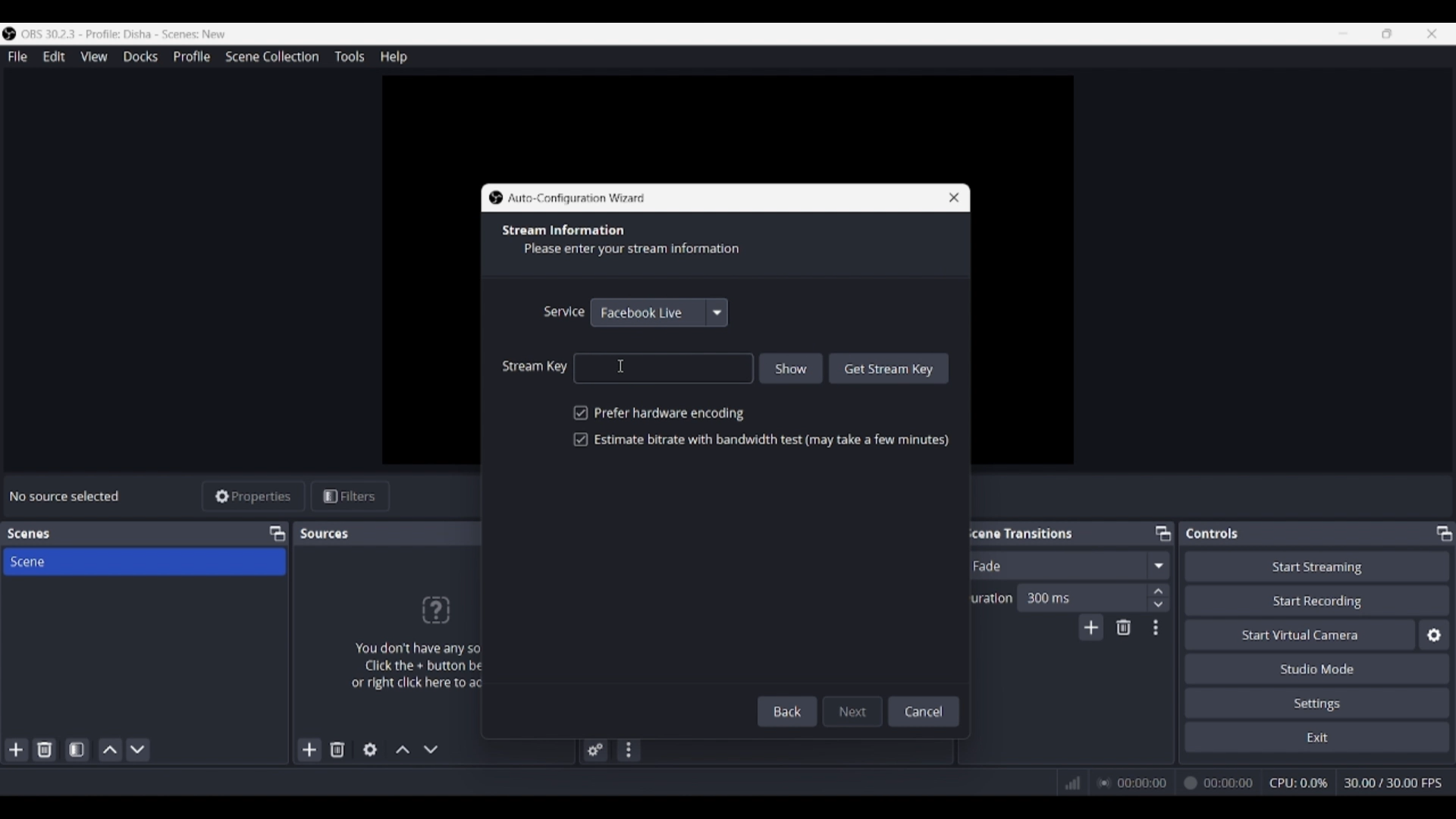  I want to click on Cancel, so click(924, 710).